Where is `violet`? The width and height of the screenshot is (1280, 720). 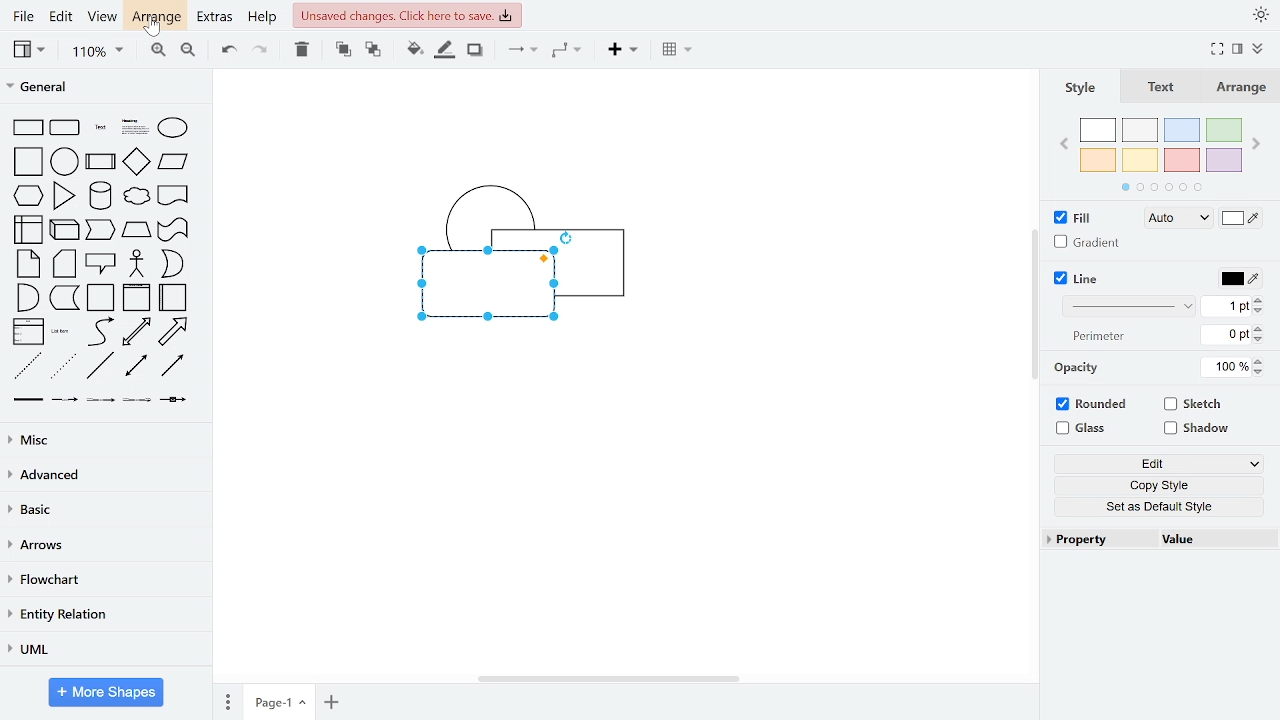
violet is located at coordinates (1222, 161).